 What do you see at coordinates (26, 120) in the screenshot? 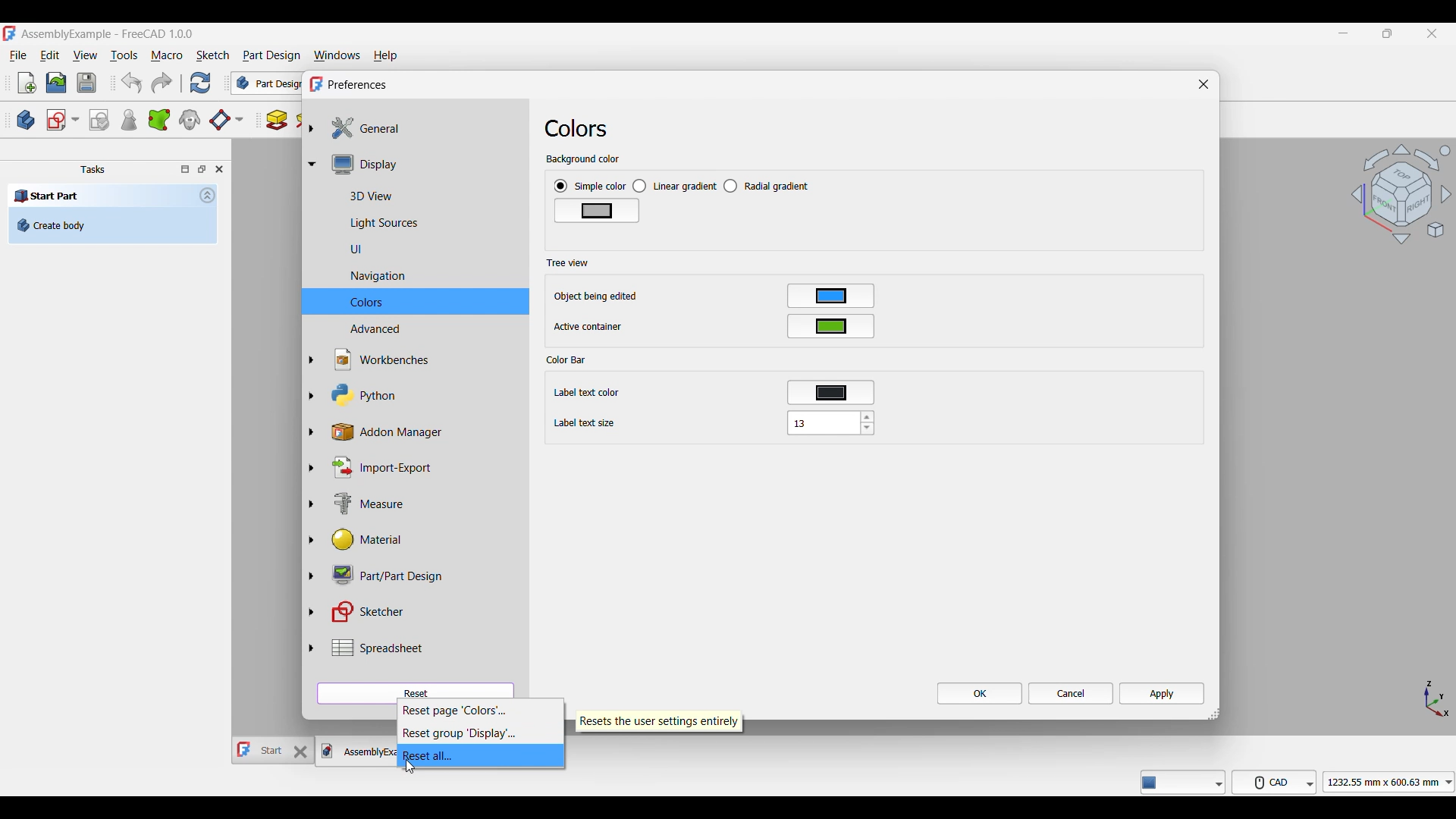
I see `Create body` at bounding box center [26, 120].